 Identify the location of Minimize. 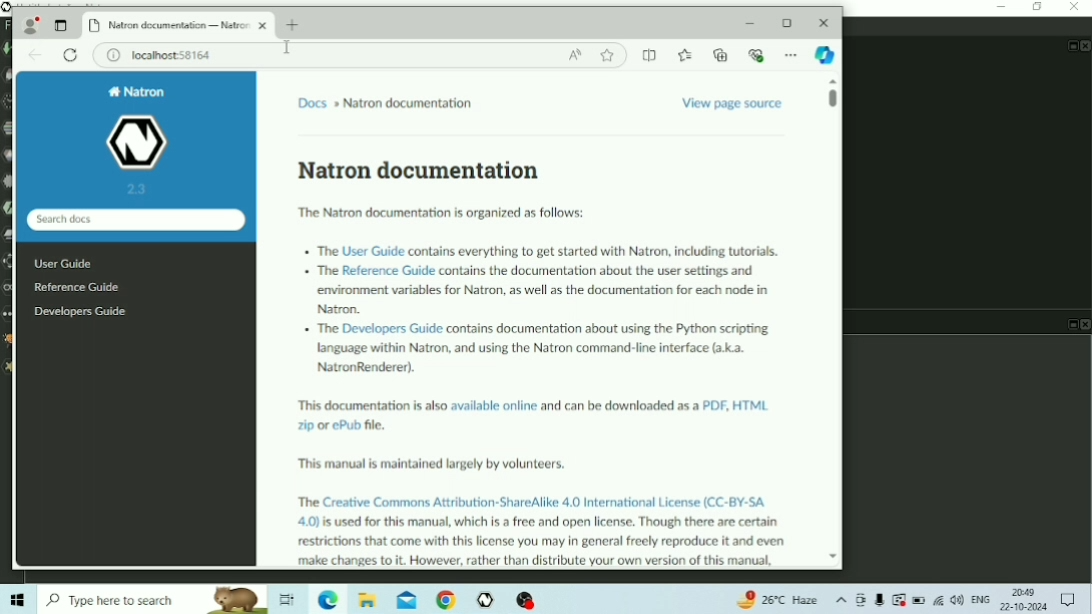
(749, 24).